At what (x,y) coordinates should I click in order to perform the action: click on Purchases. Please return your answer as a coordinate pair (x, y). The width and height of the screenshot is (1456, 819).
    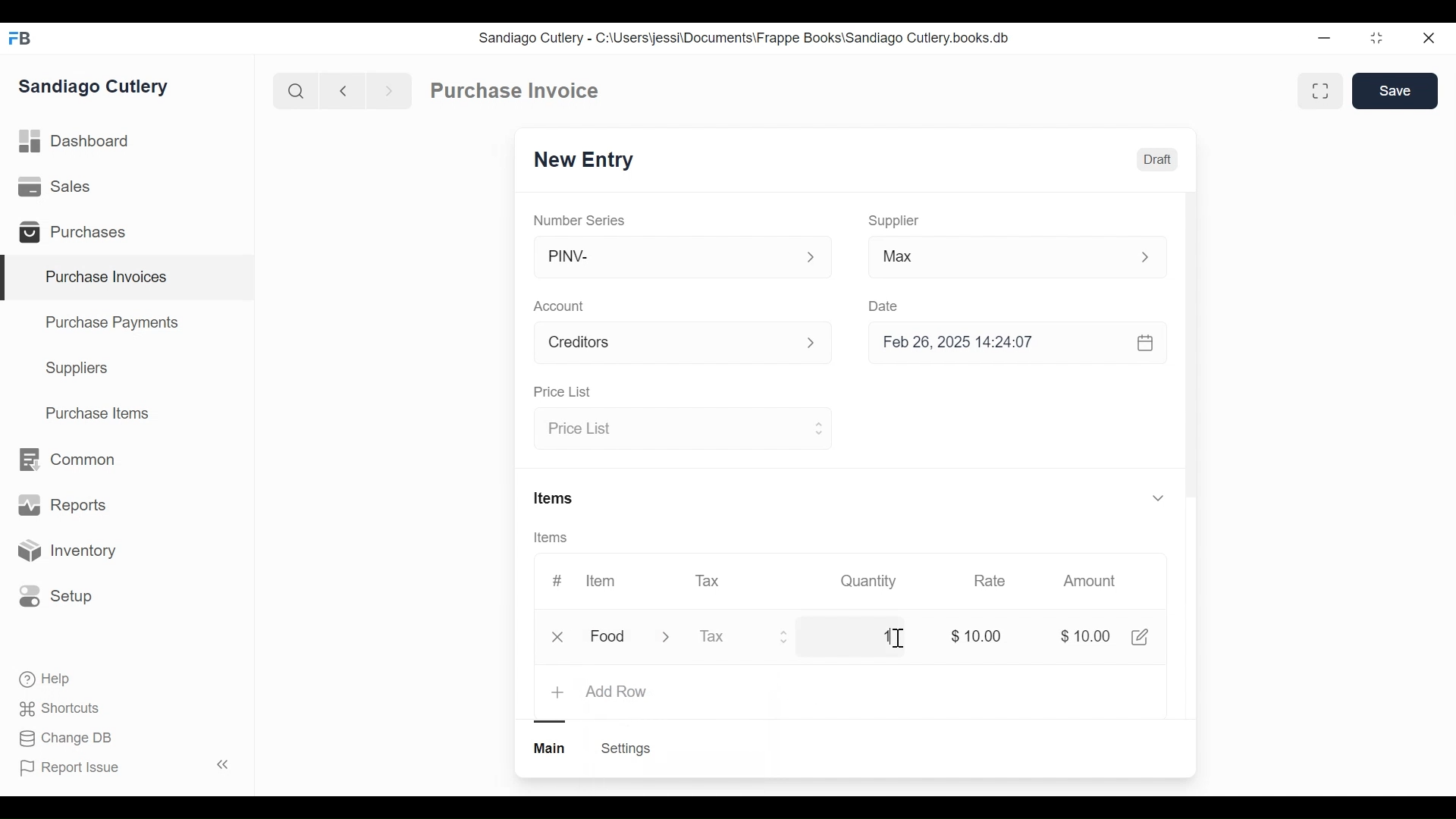
    Looking at the image, I should click on (79, 234).